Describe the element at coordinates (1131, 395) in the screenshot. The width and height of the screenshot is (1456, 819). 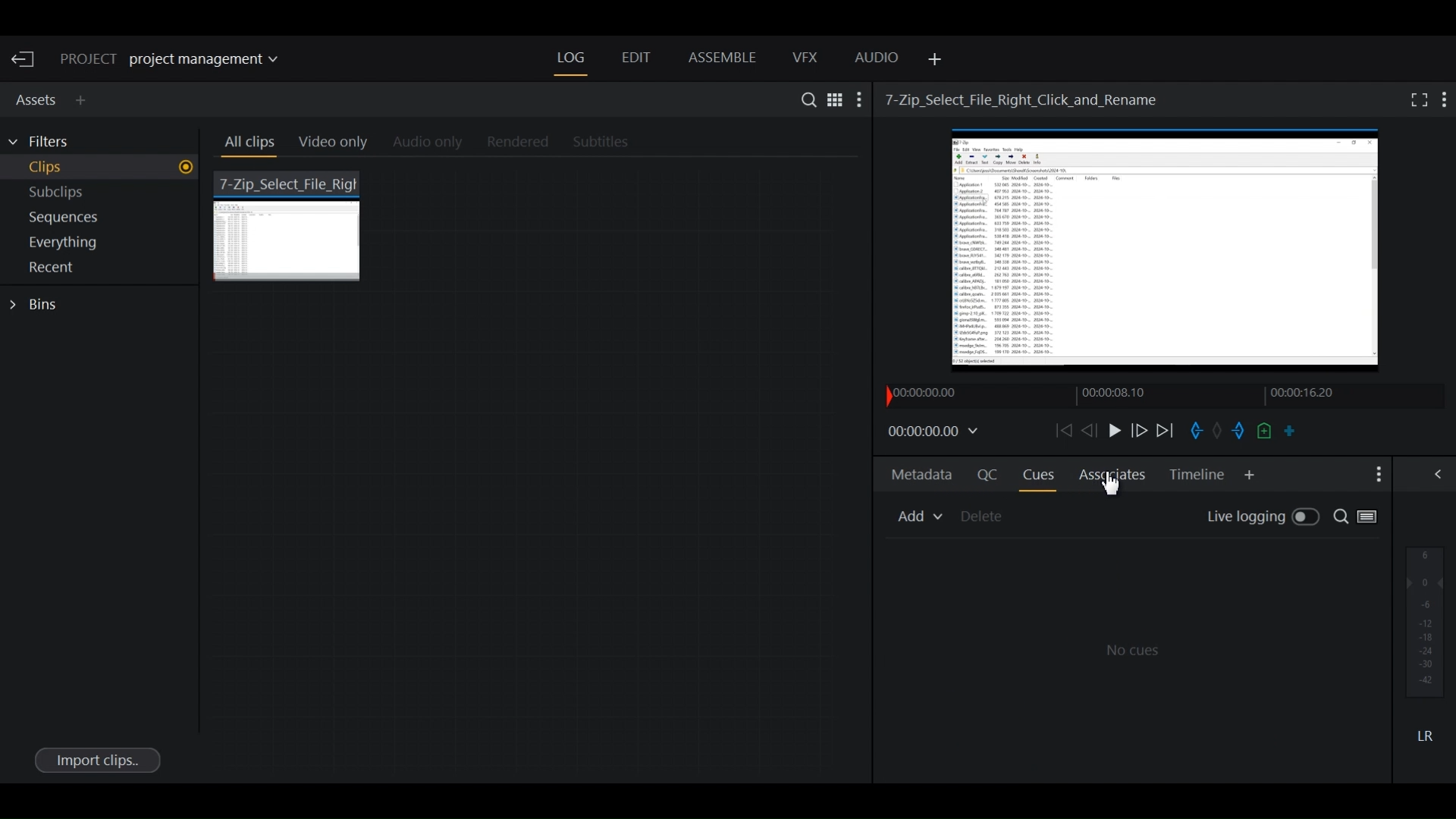
I see `Timeline` at that location.